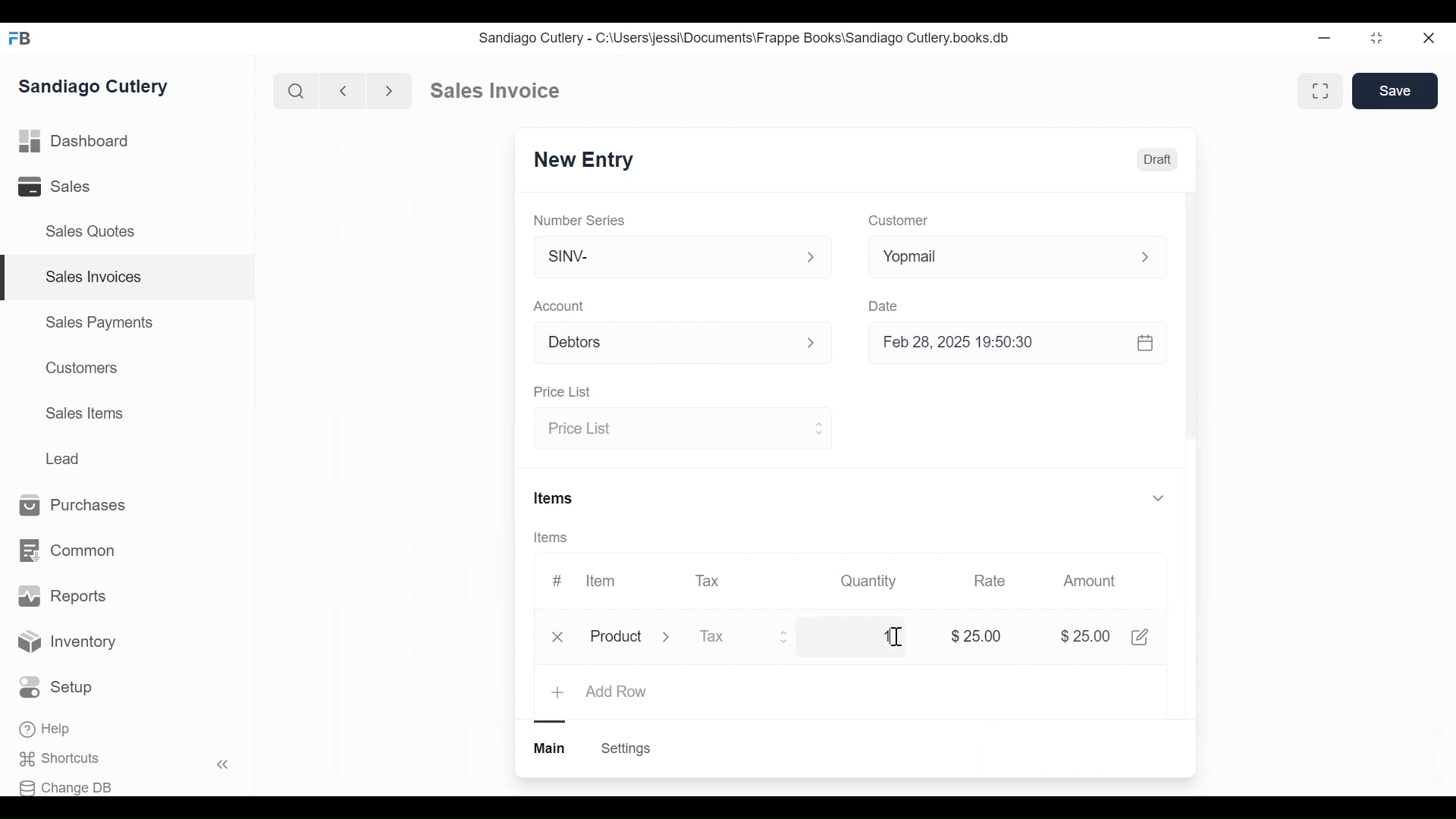 Image resolution: width=1456 pixels, height=819 pixels. I want to click on New Entry, so click(579, 162).